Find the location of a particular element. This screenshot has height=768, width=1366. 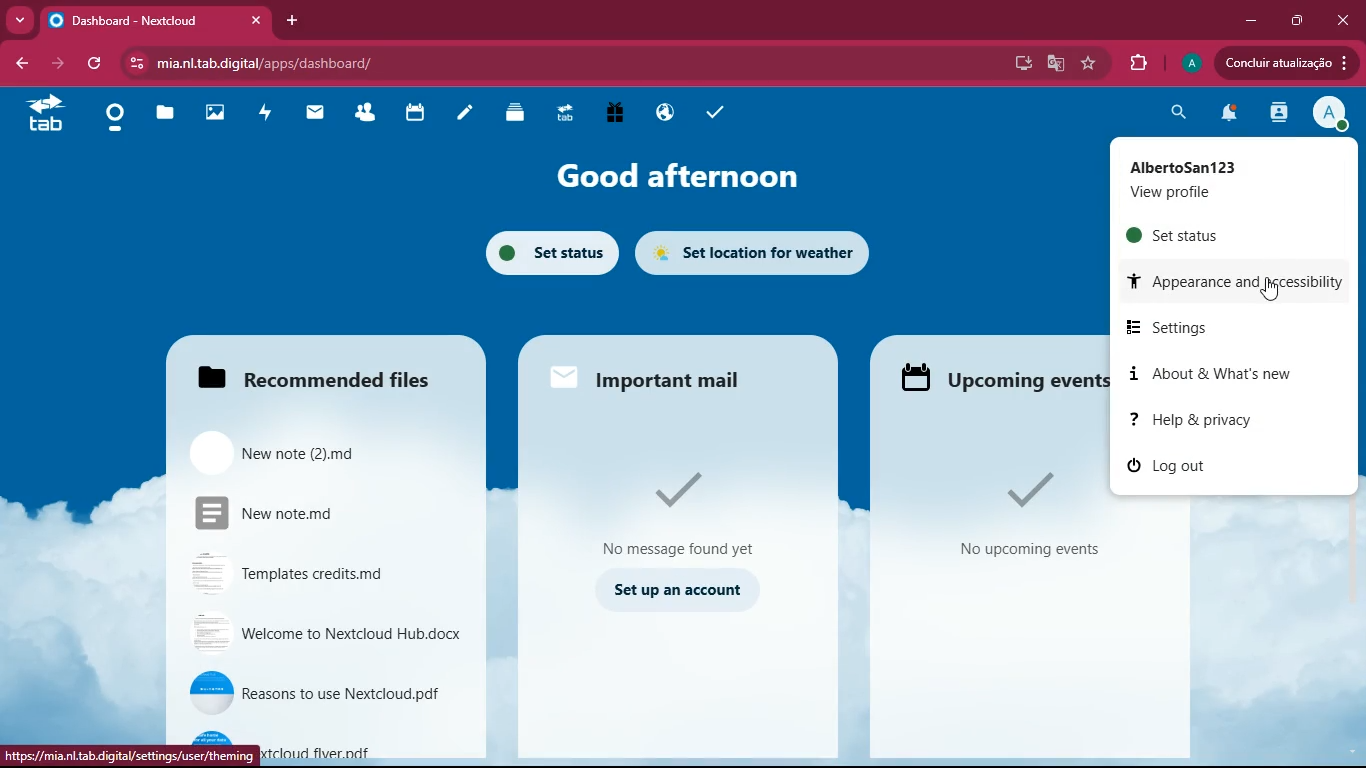

search is located at coordinates (1182, 112).